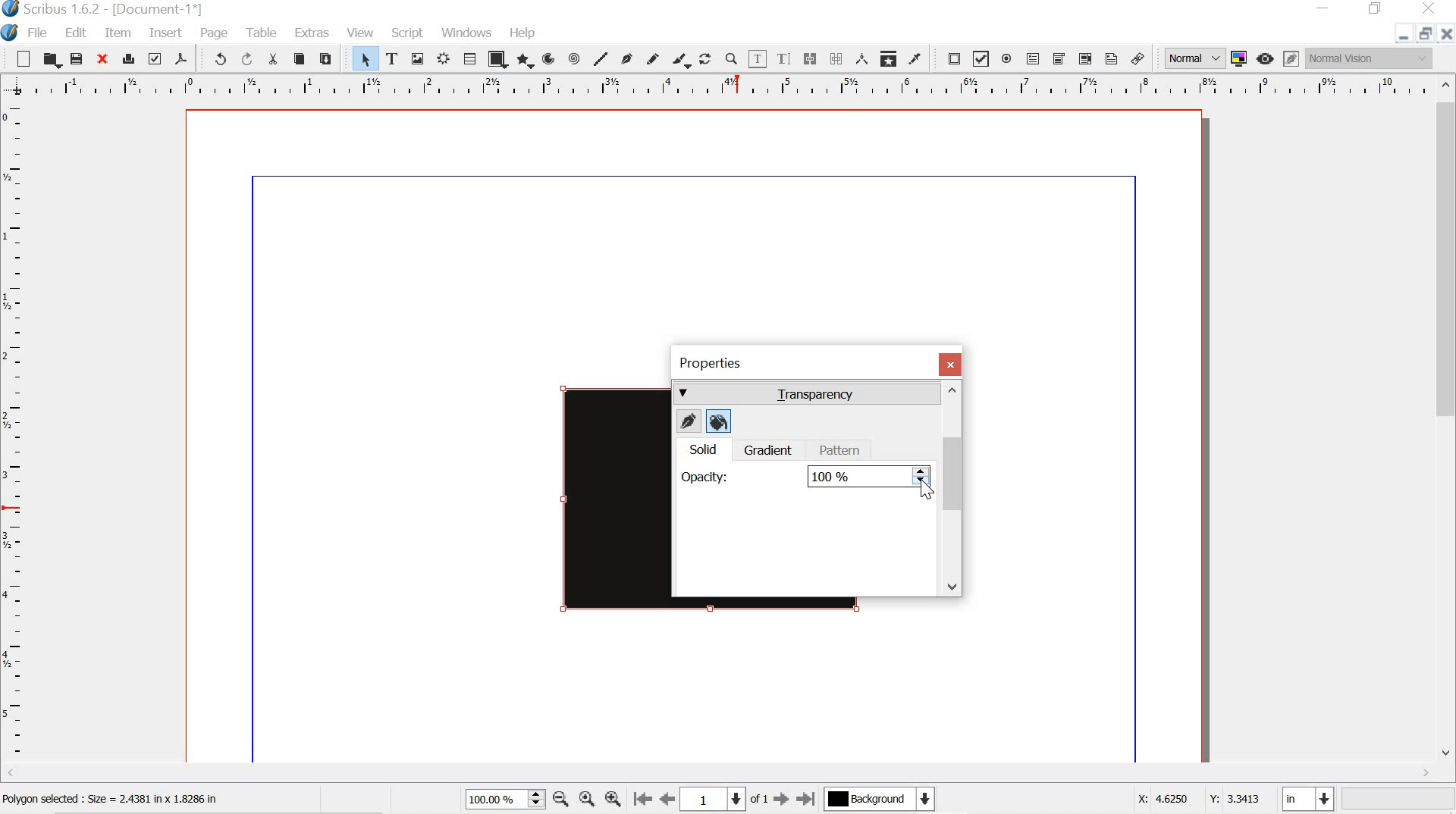  Describe the element at coordinates (879, 800) in the screenshot. I see `Background` at that location.